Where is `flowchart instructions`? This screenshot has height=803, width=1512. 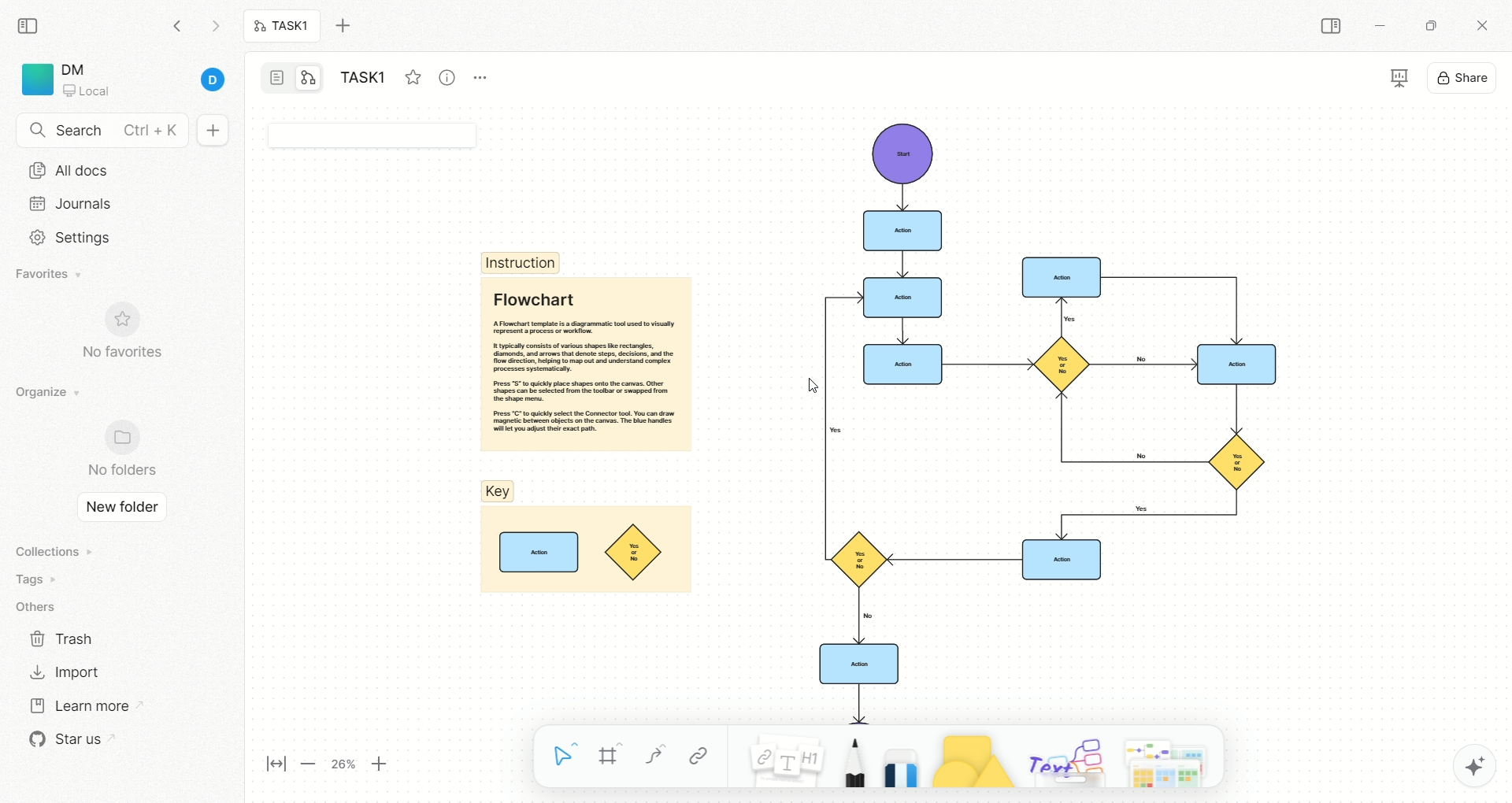 flowchart instructions is located at coordinates (584, 364).